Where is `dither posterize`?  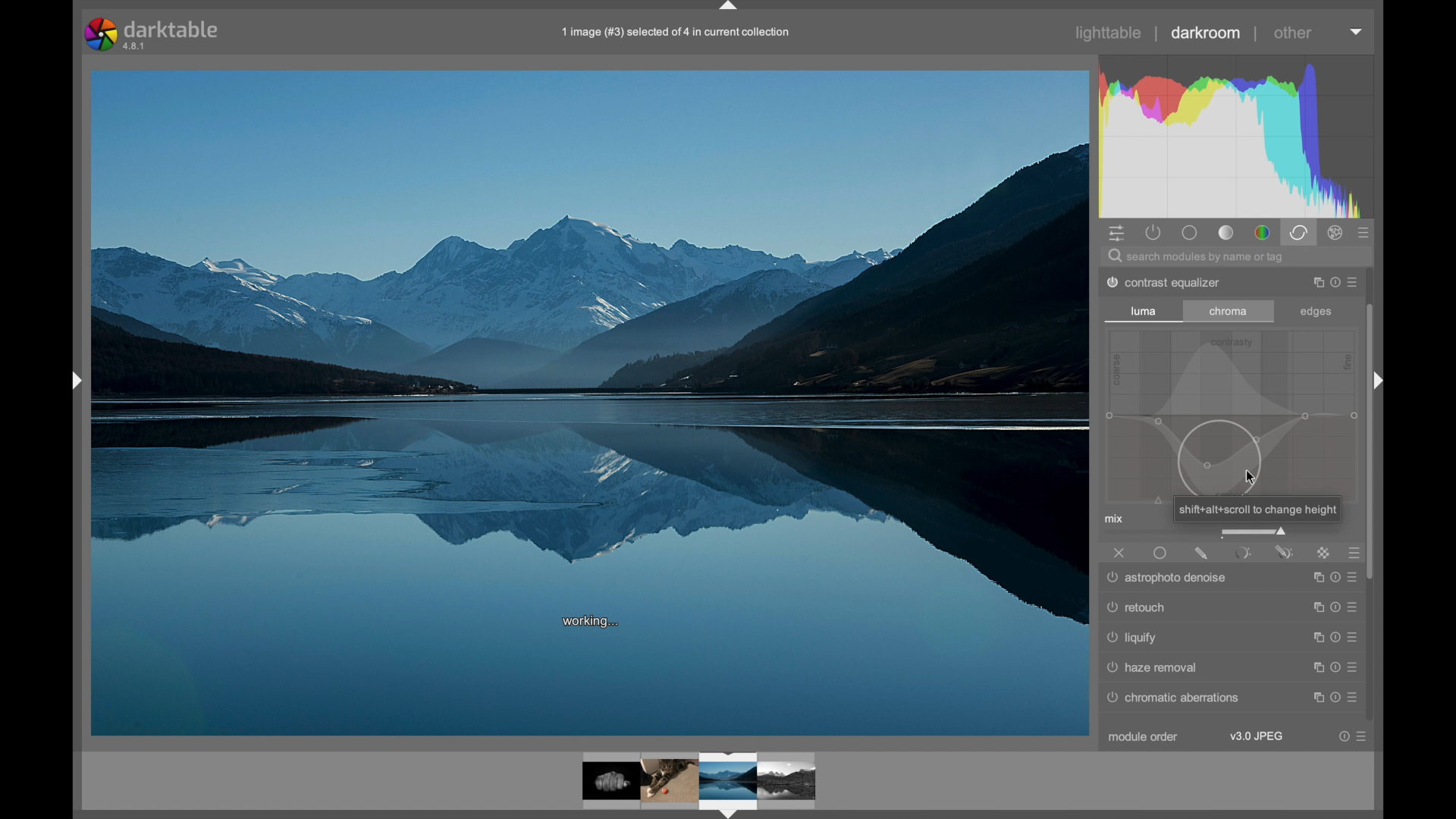
dither posterize is located at coordinates (1164, 282).